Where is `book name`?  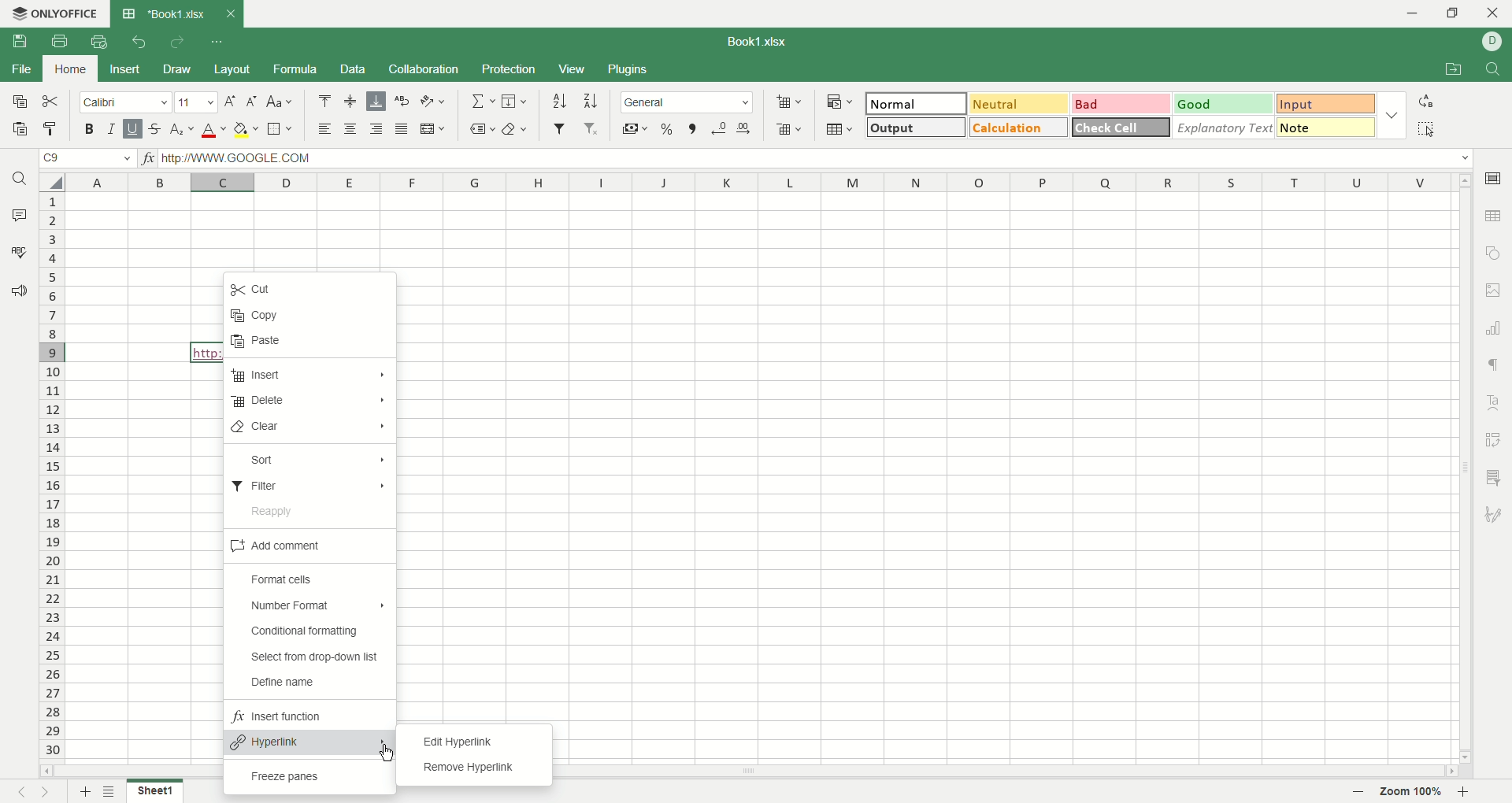
book name is located at coordinates (754, 40).